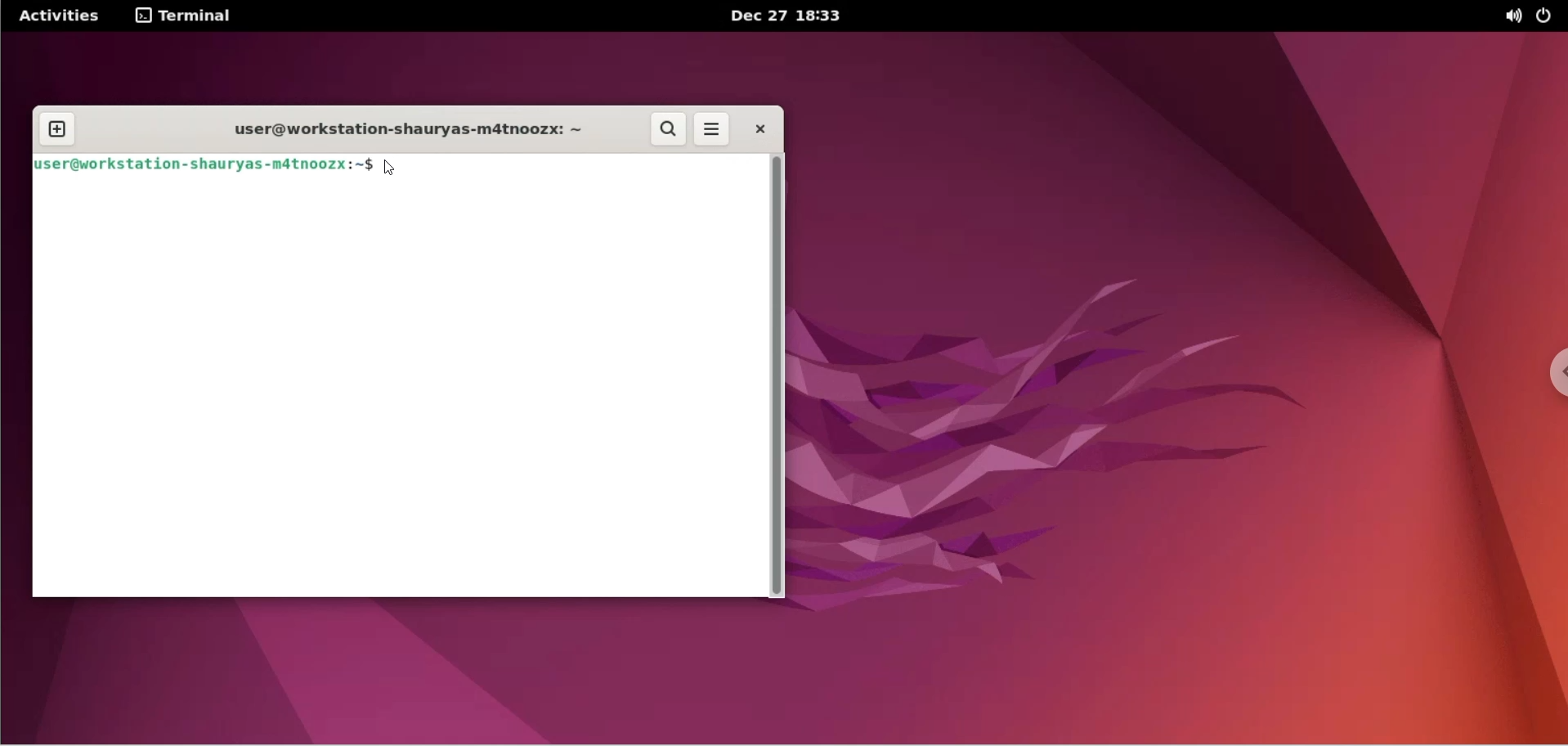 This screenshot has height=746, width=1568. I want to click on Sound options, so click(1509, 16).